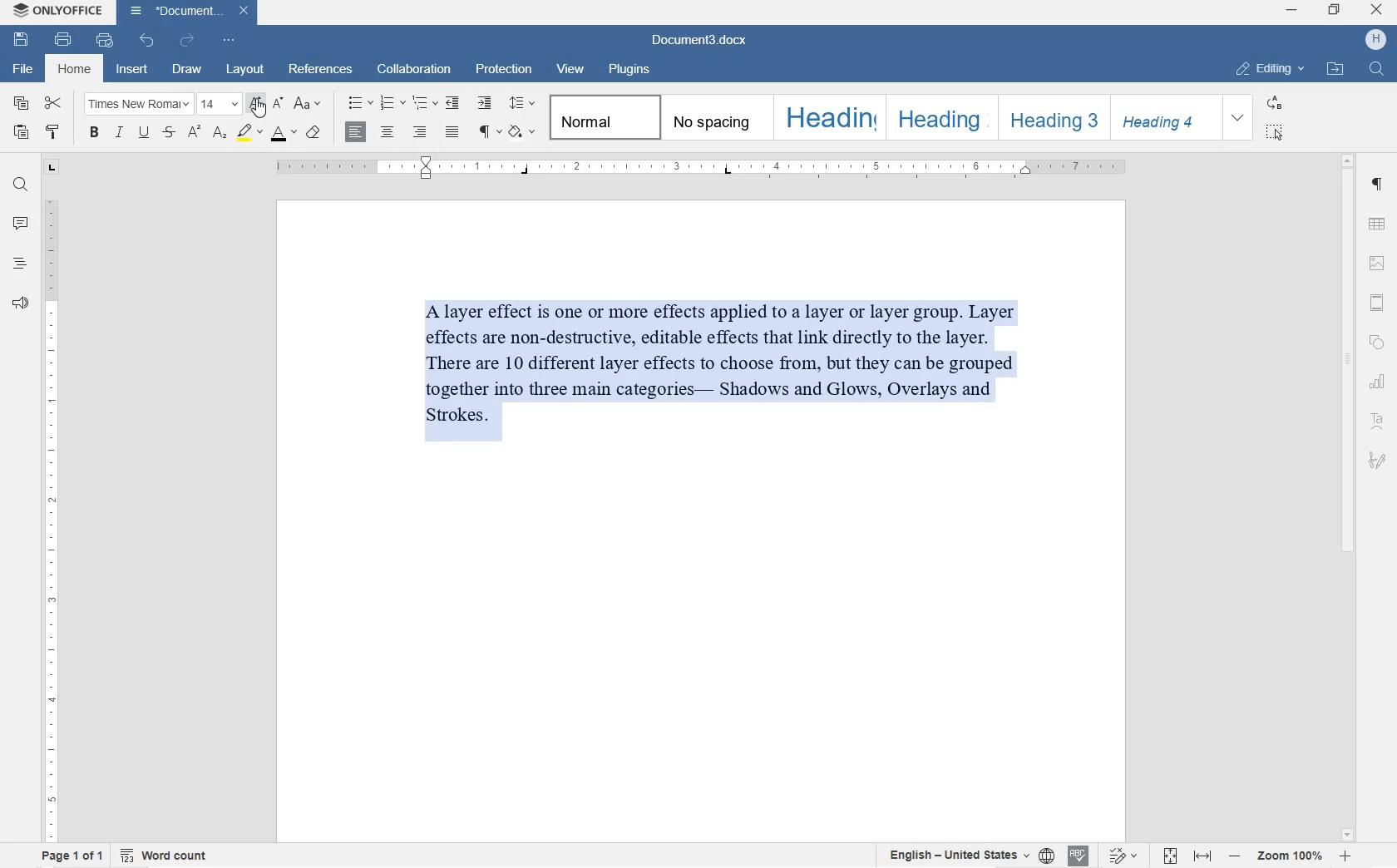 The height and width of the screenshot is (868, 1397). What do you see at coordinates (74, 856) in the screenshot?
I see `page 1 of 1` at bounding box center [74, 856].